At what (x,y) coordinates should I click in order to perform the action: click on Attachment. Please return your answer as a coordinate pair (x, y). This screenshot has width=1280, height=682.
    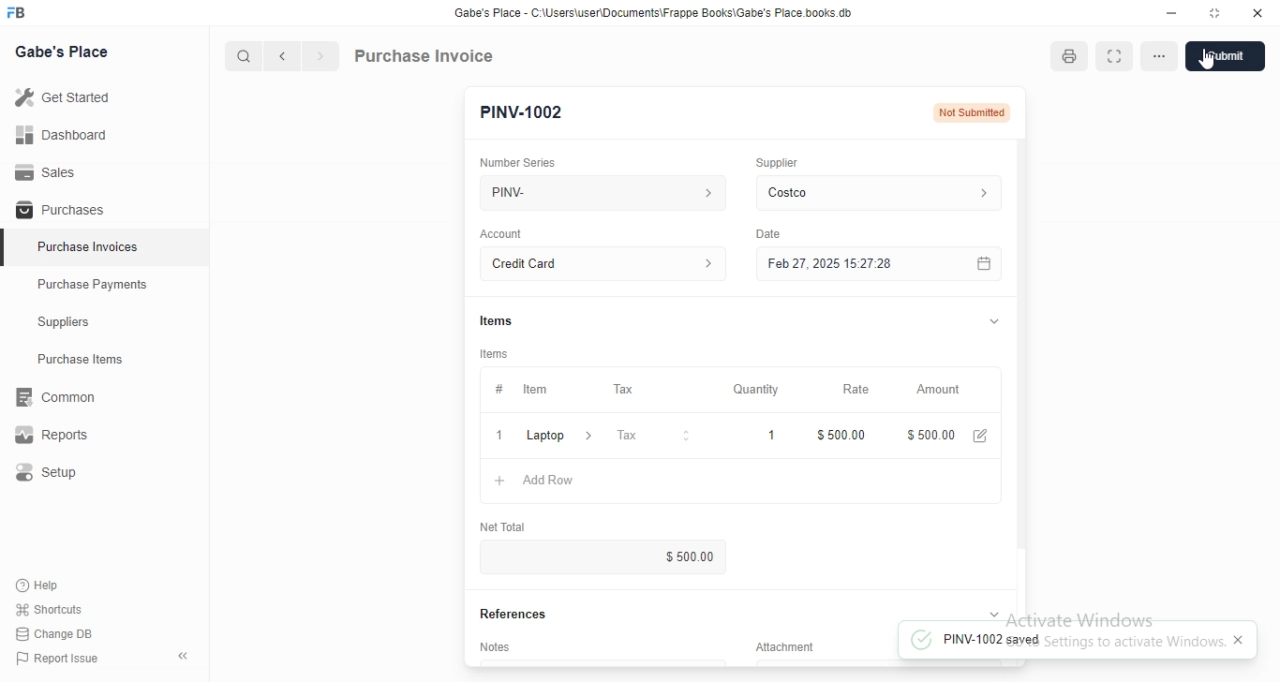
    Looking at the image, I should click on (785, 646).